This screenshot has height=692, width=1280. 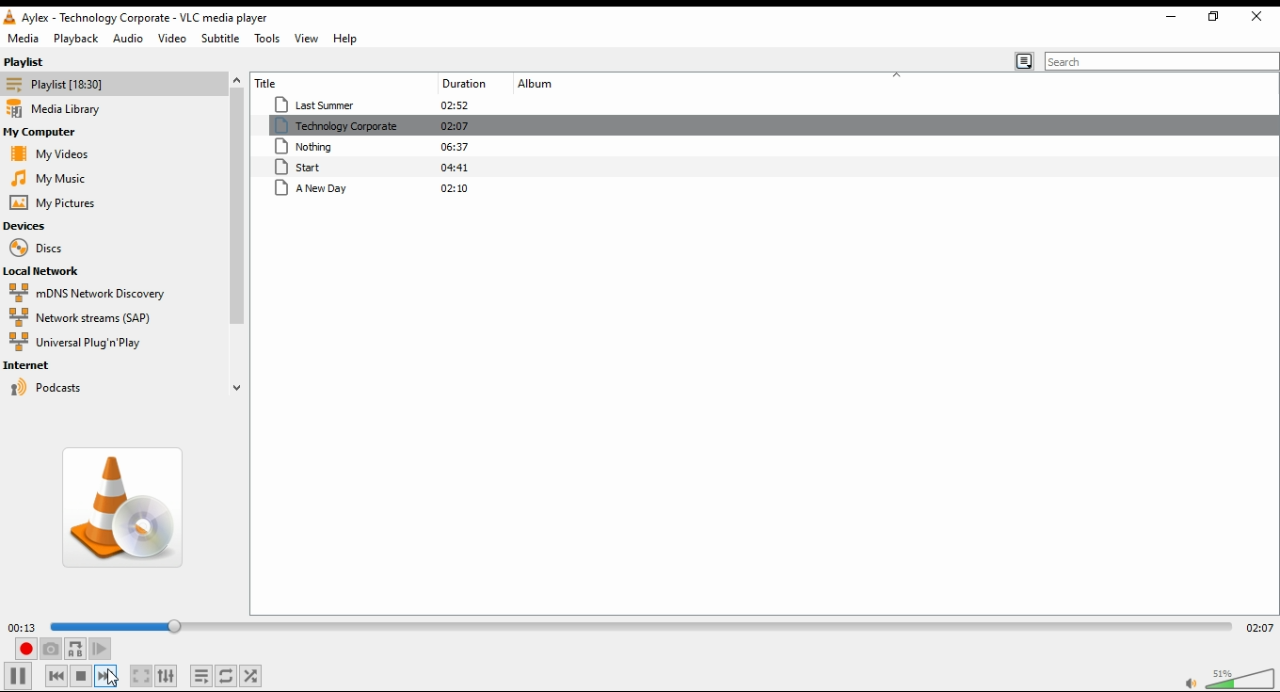 I want to click on vlc icon, so click(x=10, y=20).